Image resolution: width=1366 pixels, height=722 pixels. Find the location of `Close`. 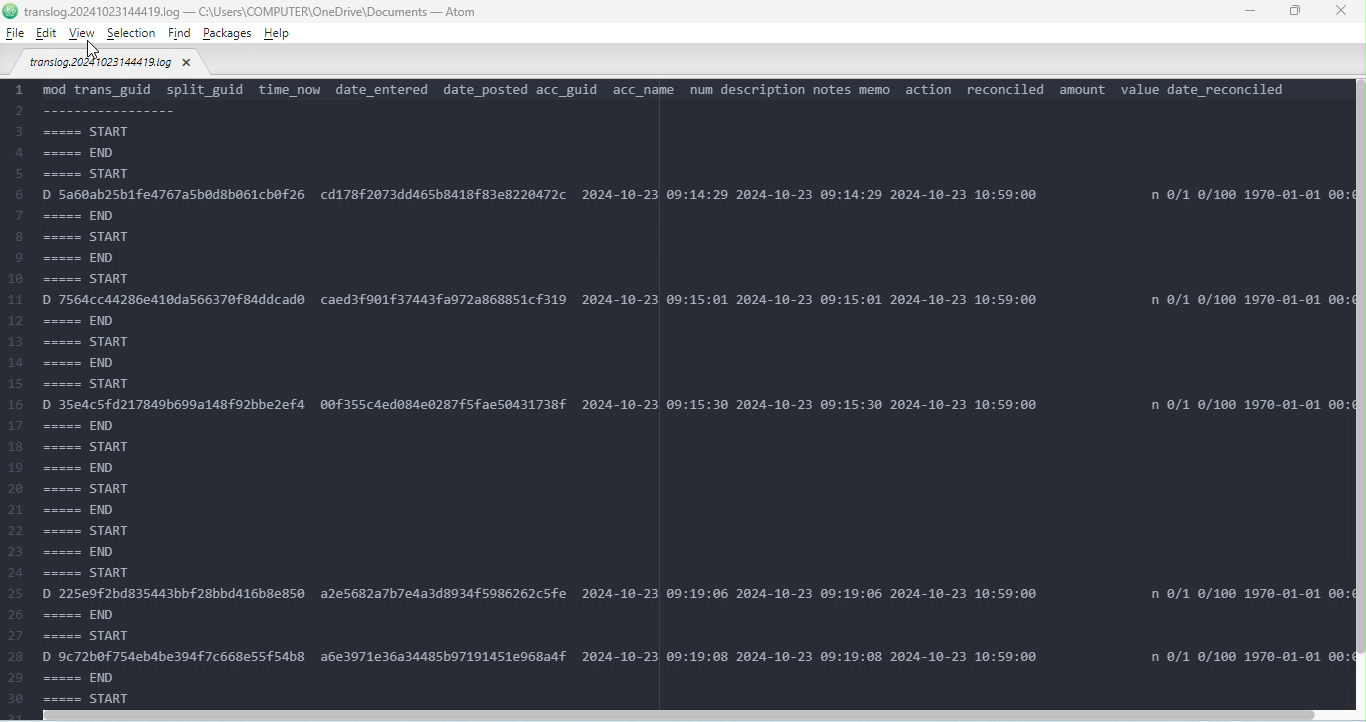

Close is located at coordinates (1344, 13).